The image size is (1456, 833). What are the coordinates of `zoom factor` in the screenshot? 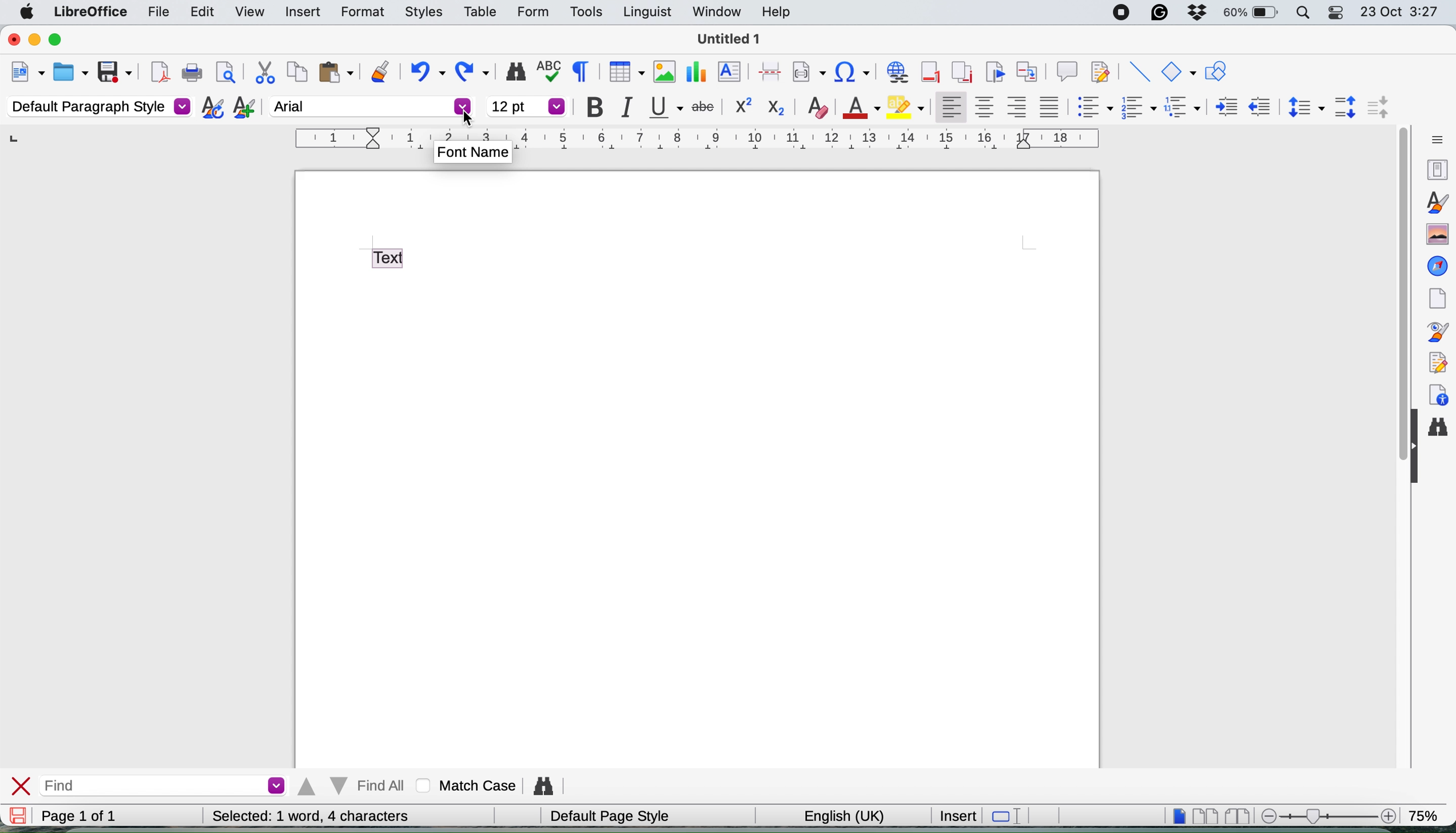 It's located at (1429, 814).